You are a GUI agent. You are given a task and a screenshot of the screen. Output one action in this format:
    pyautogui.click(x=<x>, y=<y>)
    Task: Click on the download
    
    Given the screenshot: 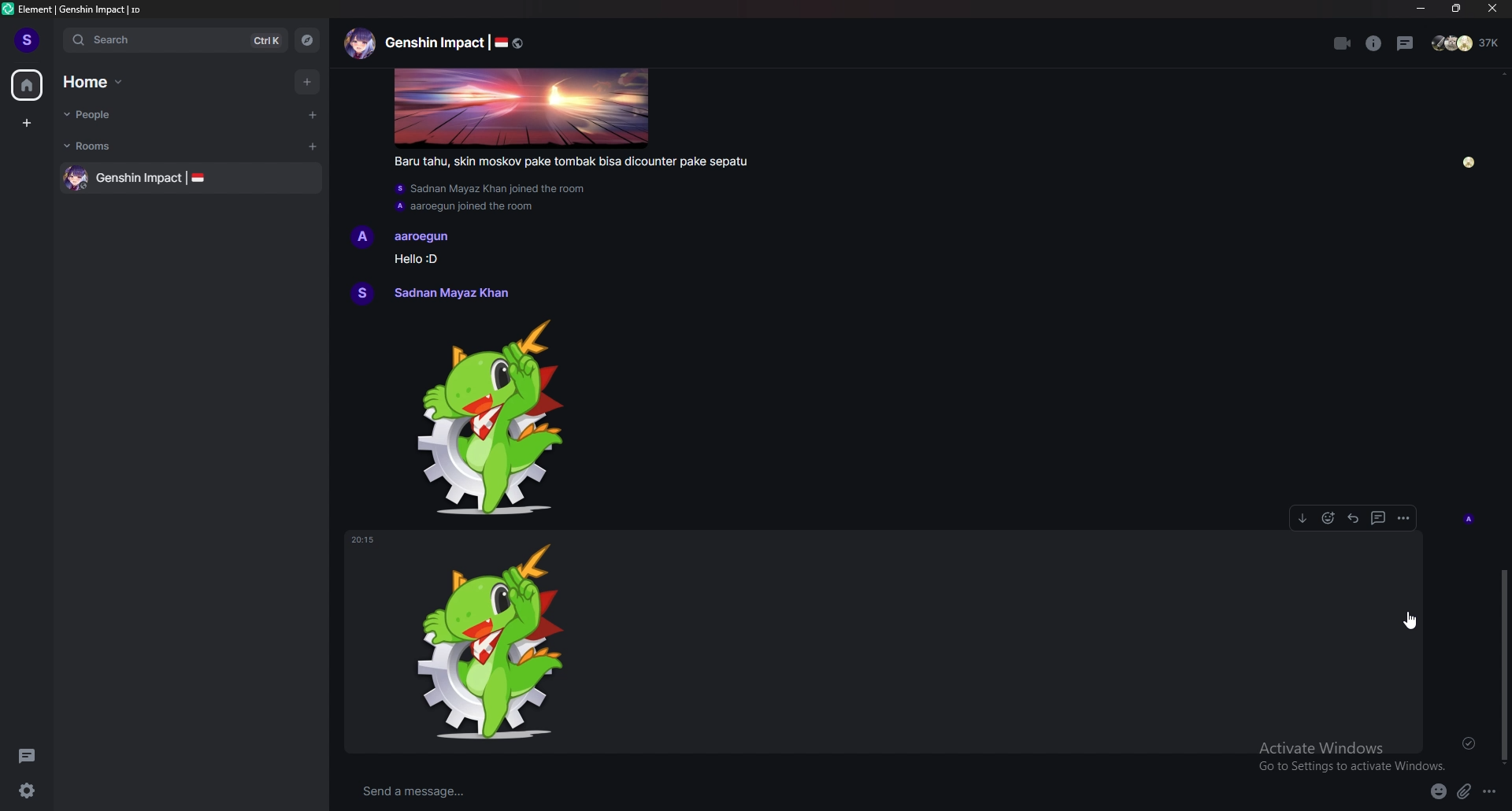 What is the action you would take?
    pyautogui.click(x=1303, y=518)
    